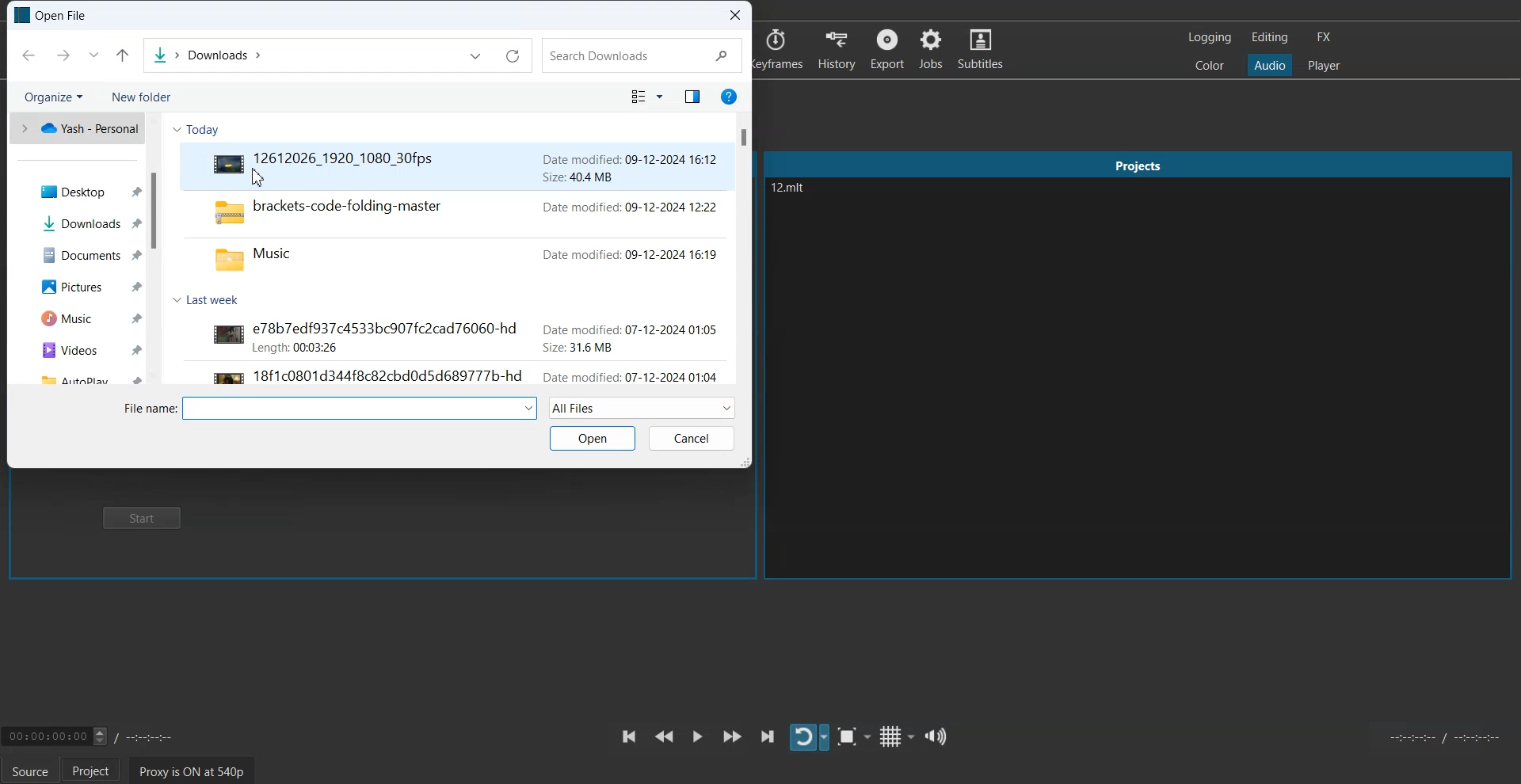 The height and width of the screenshot is (784, 1521). Describe the element at coordinates (889, 48) in the screenshot. I see `Export` at that location.